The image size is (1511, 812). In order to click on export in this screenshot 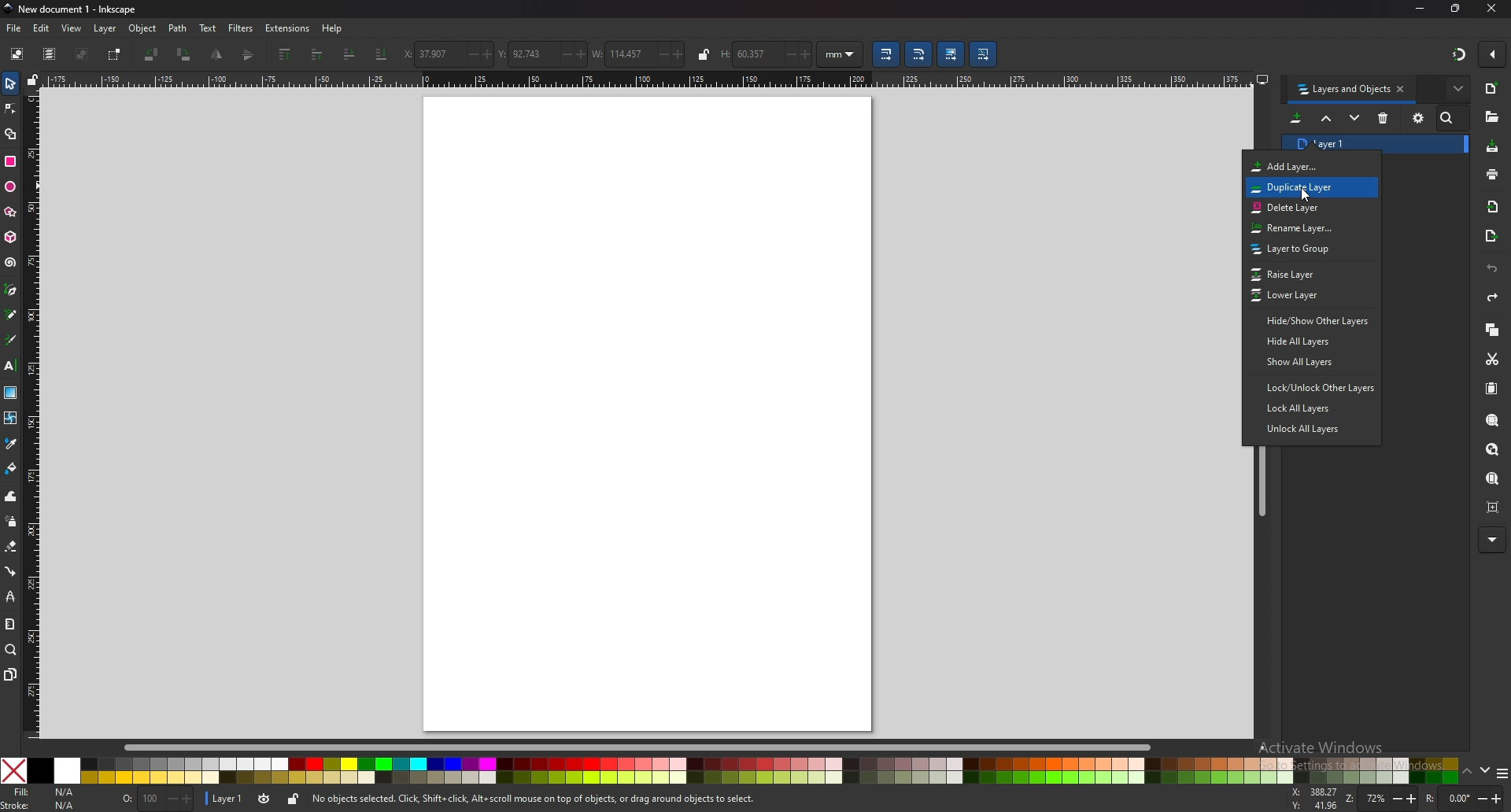, I will do `click(1491, 234)`.